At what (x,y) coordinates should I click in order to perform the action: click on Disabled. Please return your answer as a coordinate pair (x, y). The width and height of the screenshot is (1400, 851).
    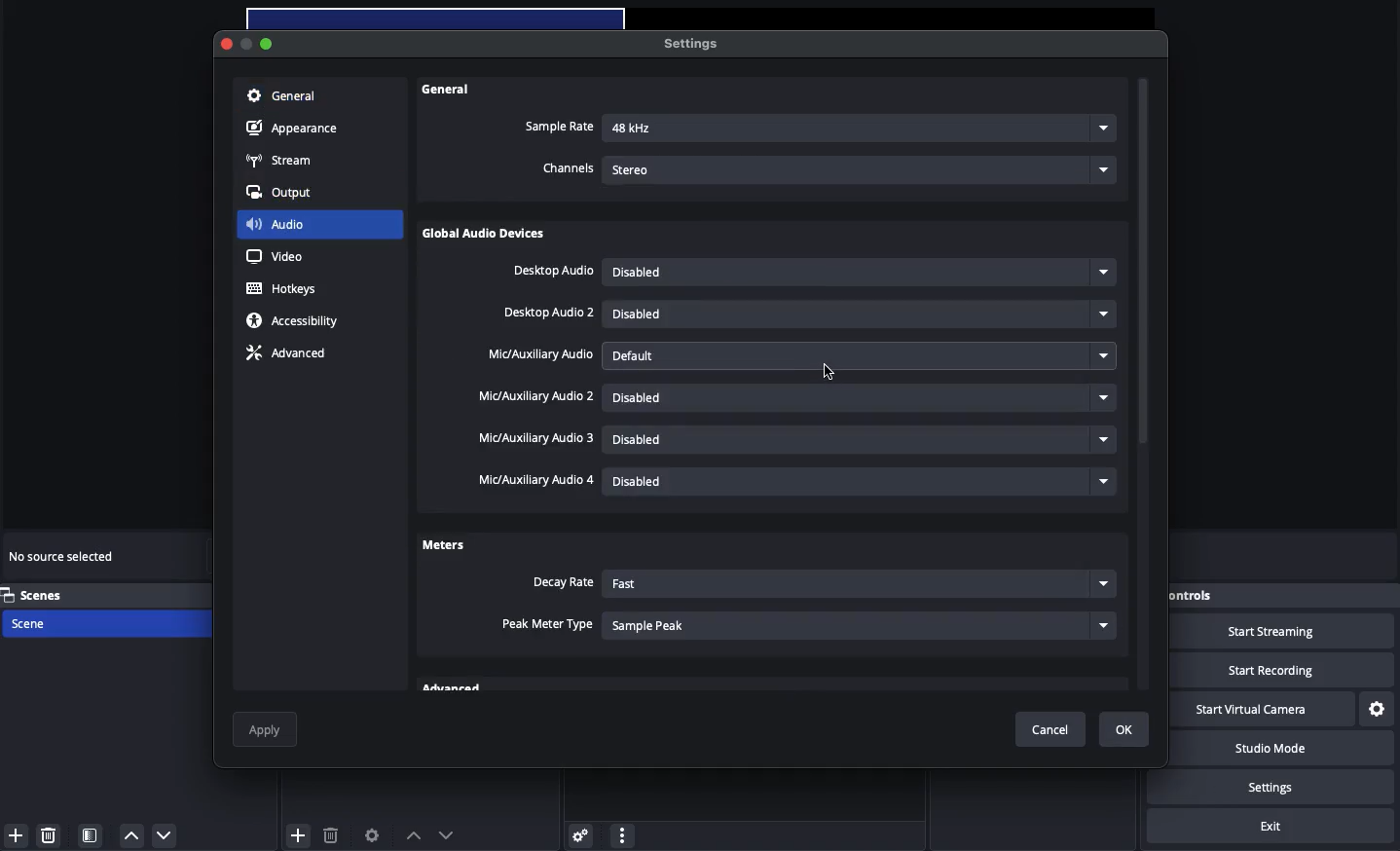
    Looking at the image, I should click on (862, 314).